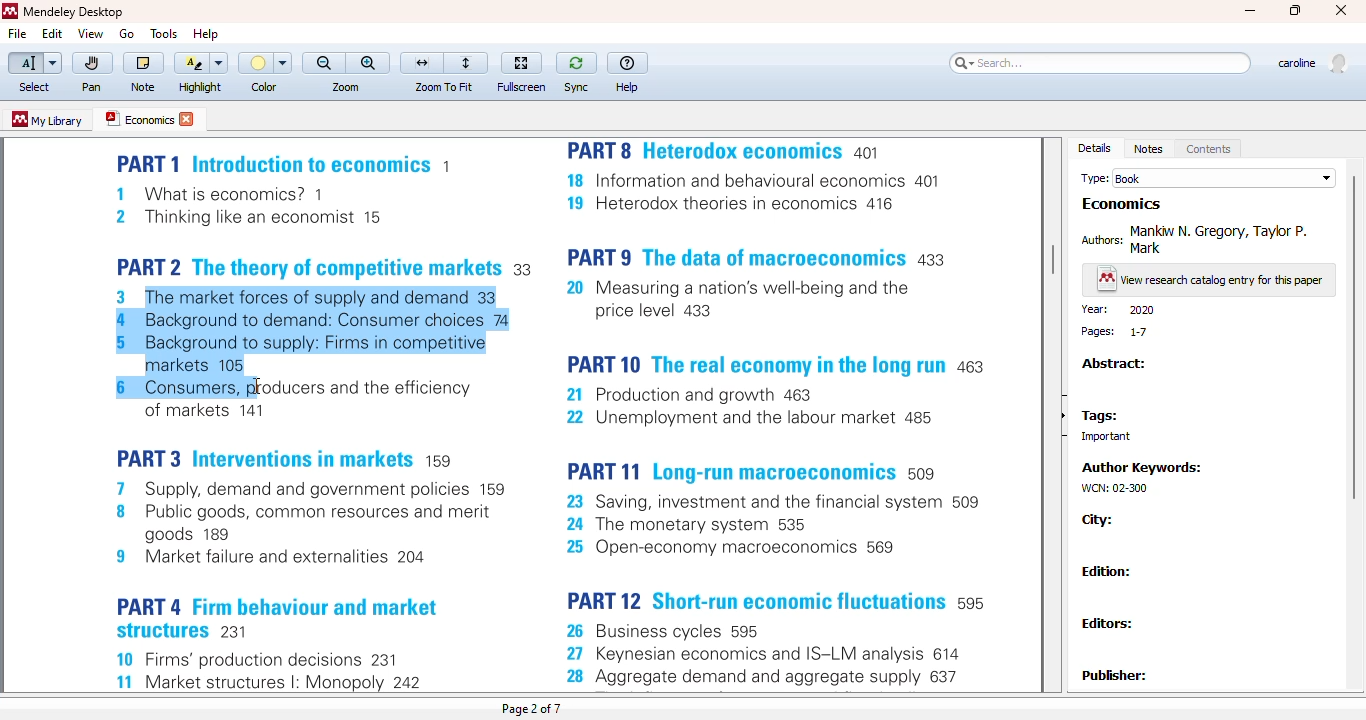 This screenshot has height=720, width=1366. Describe the element at coordinates (165, 34) in the screenshot. I see `tools` at that location.